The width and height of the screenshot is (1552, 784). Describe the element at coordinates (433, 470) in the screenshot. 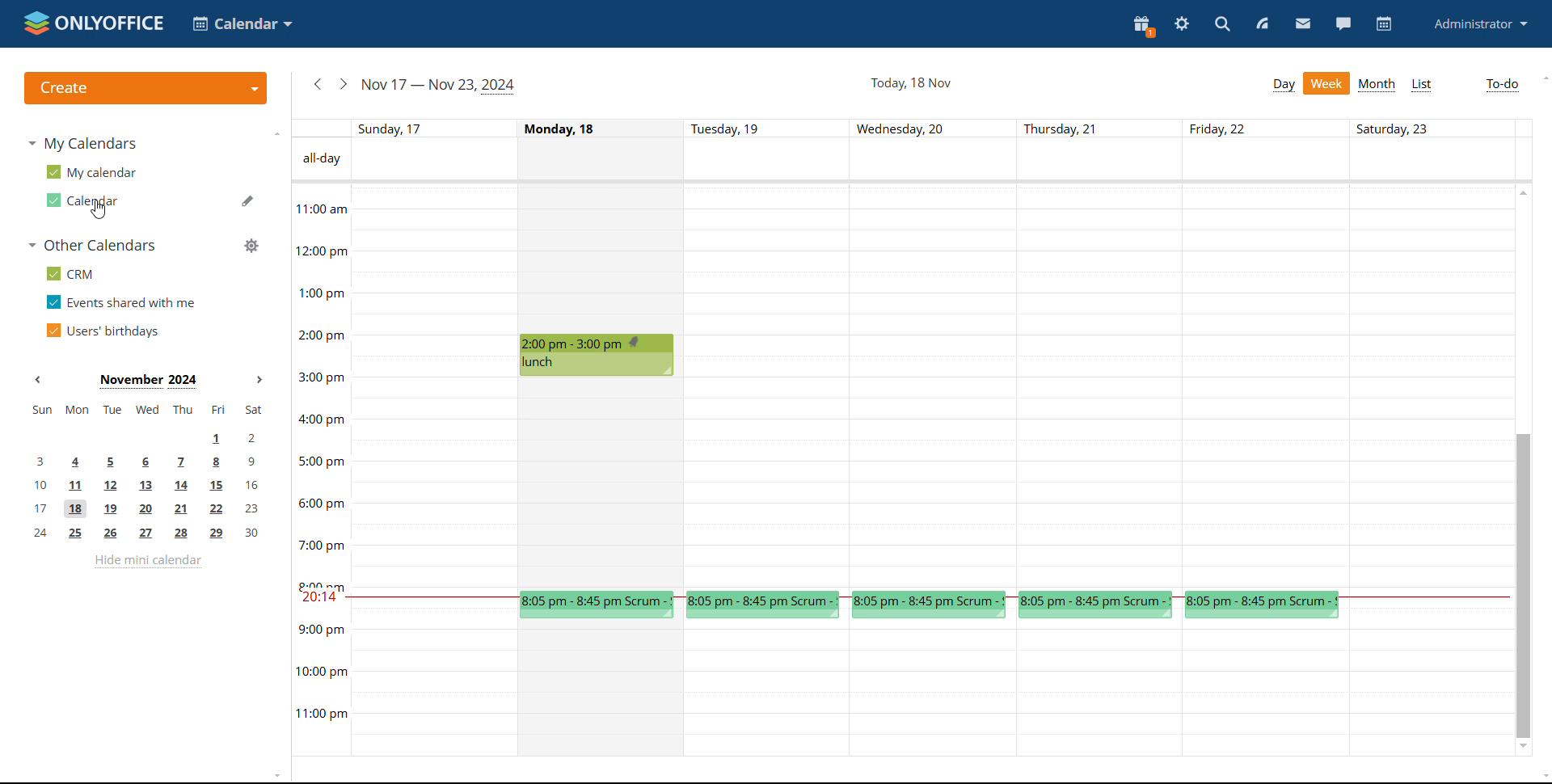

I see `Sunday` at that location.